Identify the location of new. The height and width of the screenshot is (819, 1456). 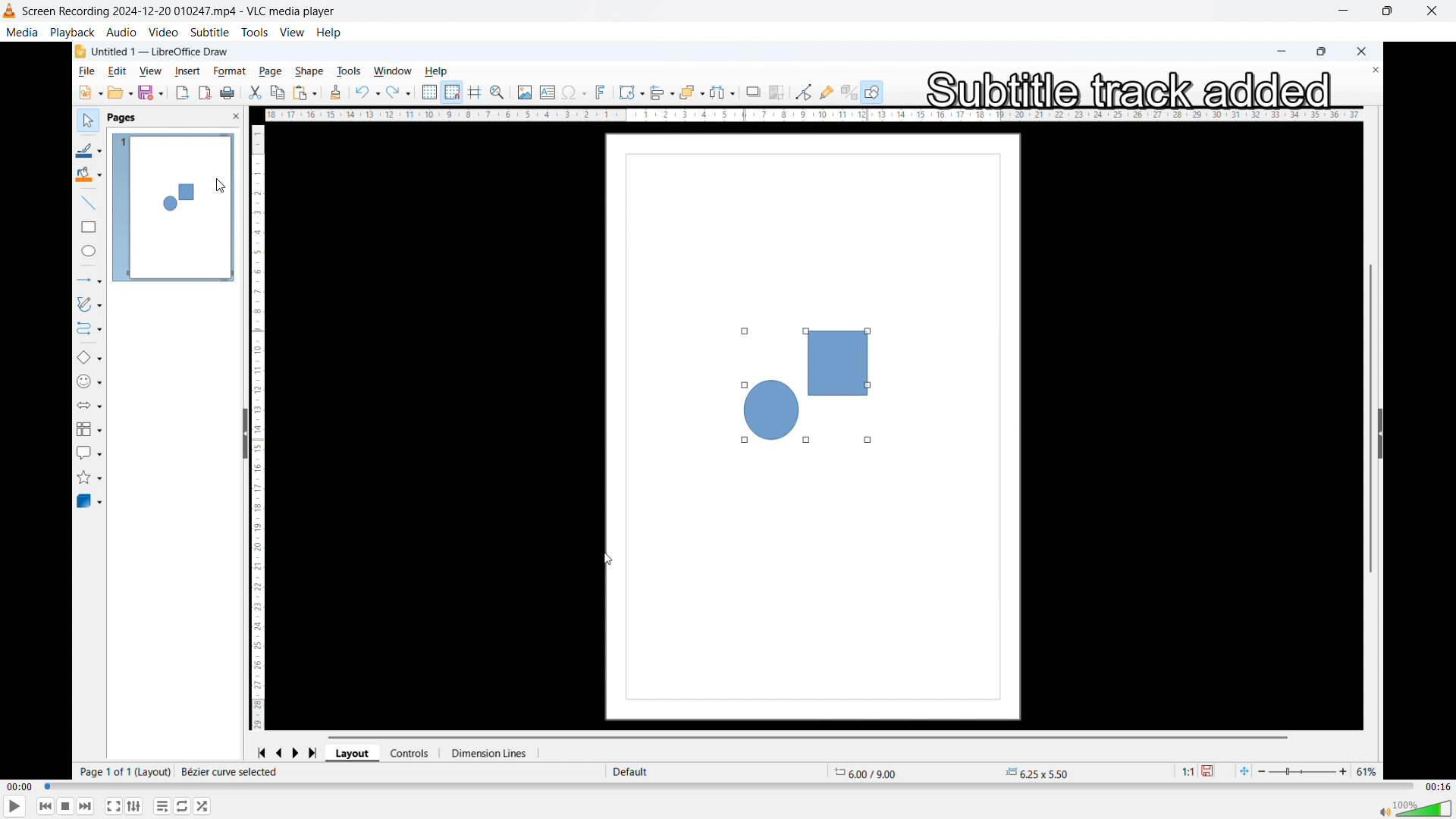
(88, 93).